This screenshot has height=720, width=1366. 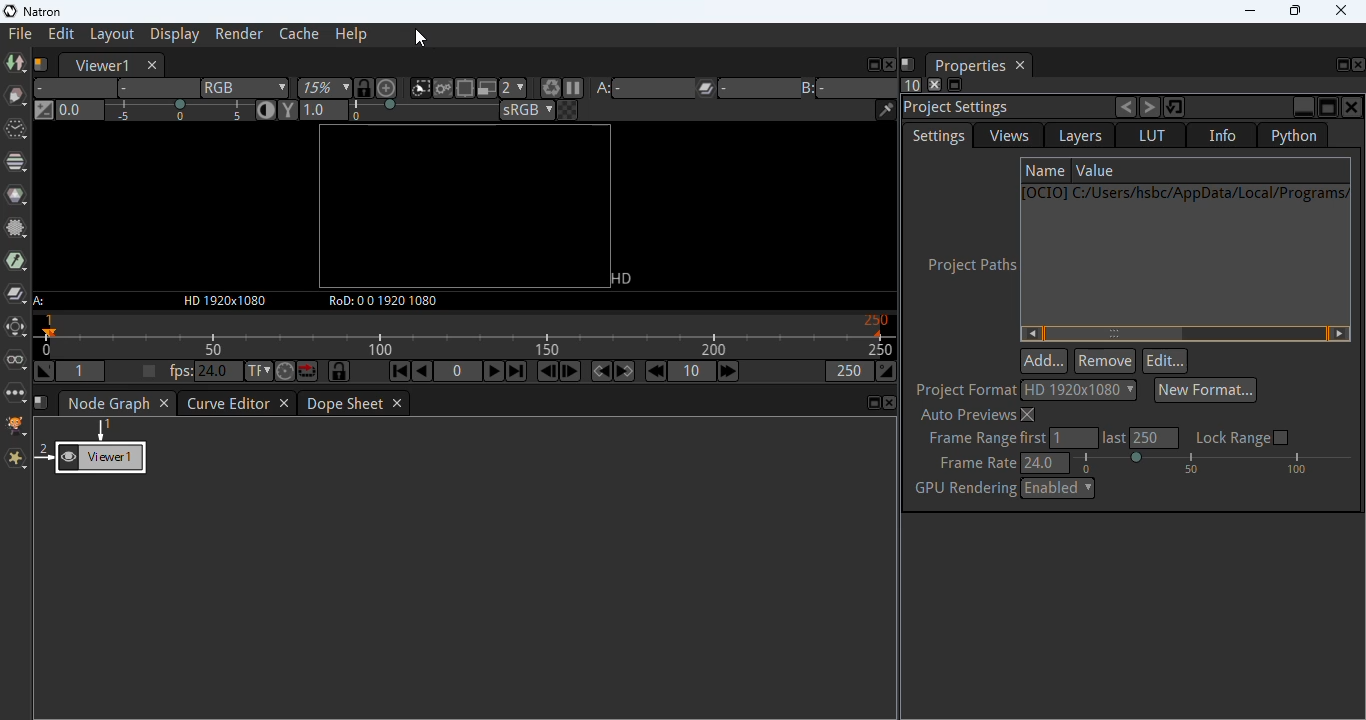 I want to click on minimize, so click(x=1250, y=11).